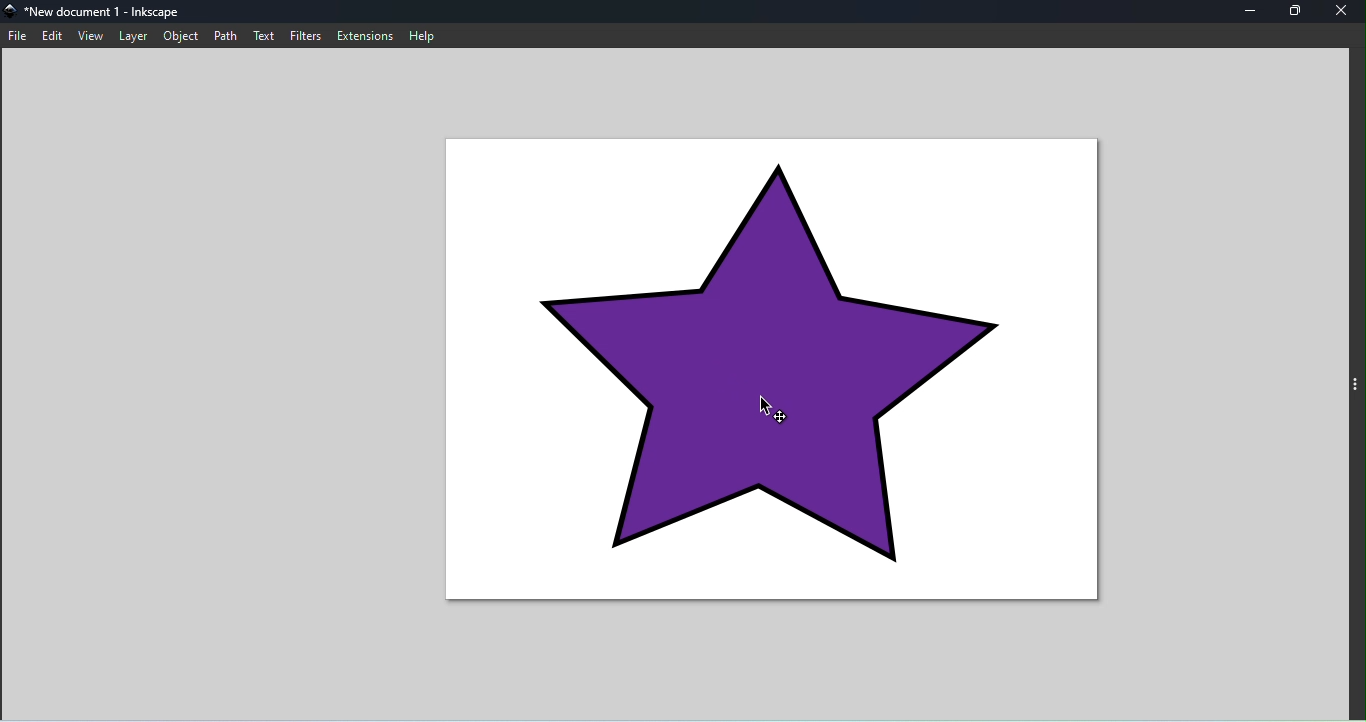 The image size is (1366, 722). What do you see at coordinates (133, 37) in the screenshot?
I see `layer` at bounding box center [133, 37].